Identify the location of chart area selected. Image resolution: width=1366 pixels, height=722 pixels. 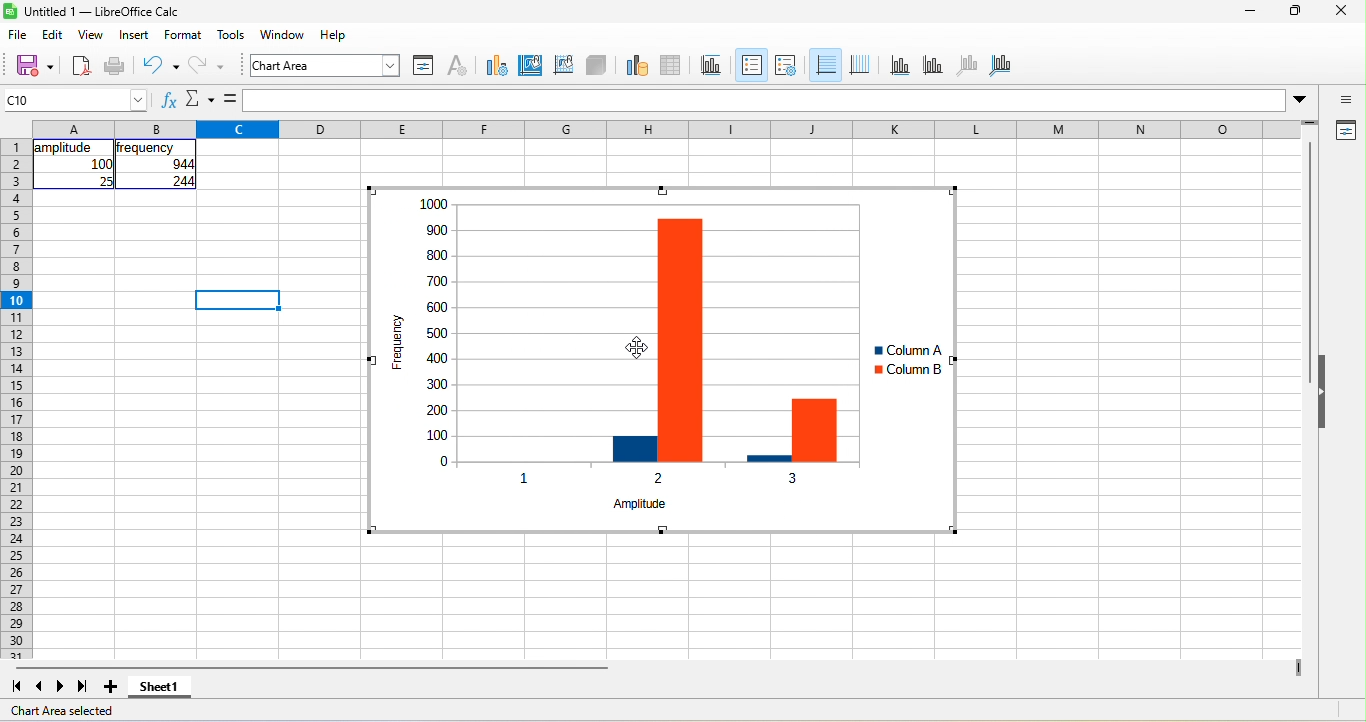
(62, 711).